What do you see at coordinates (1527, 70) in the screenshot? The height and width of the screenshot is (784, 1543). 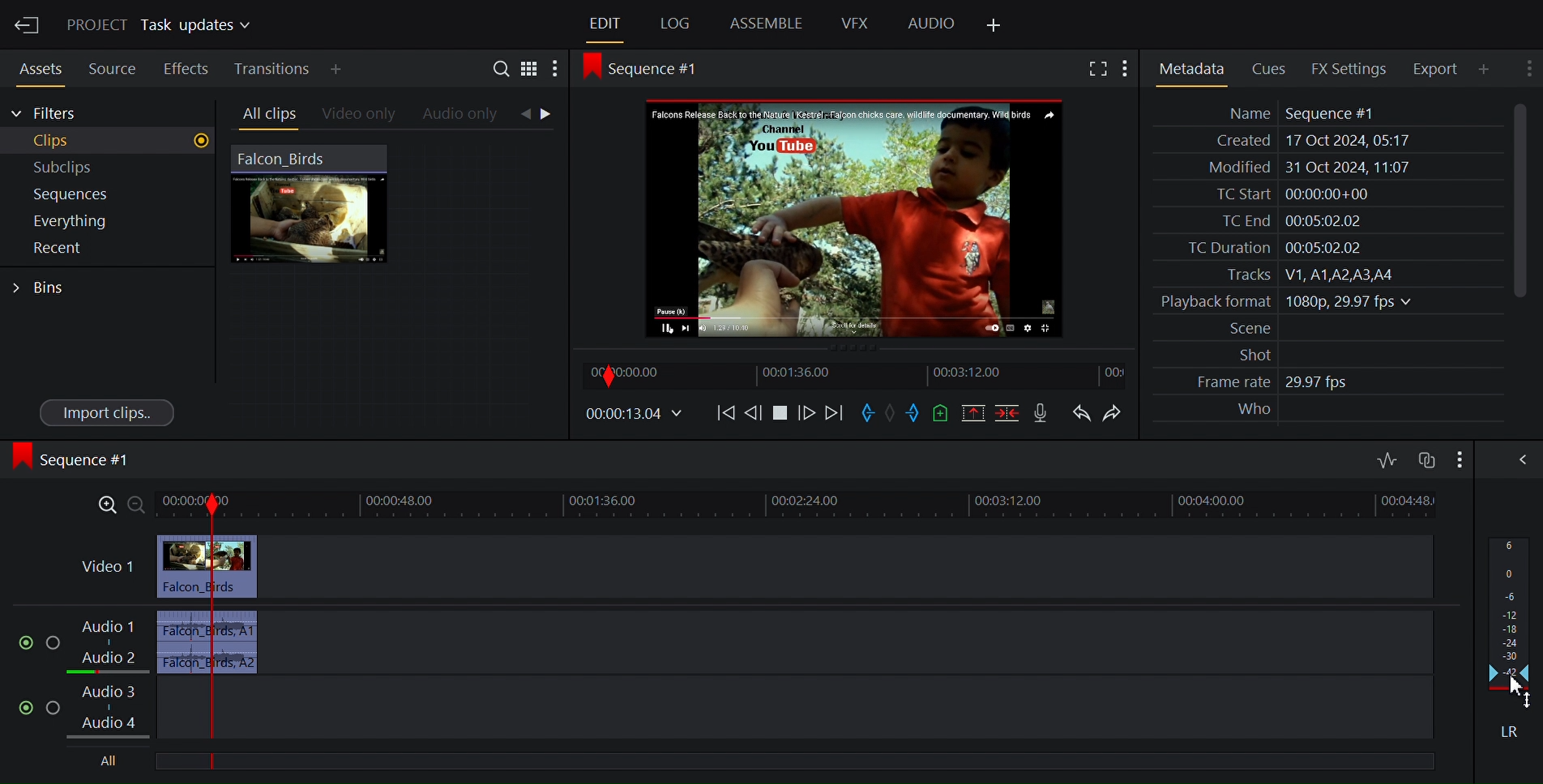 I see `Show settings menu` at bounding box center [1527, 70].